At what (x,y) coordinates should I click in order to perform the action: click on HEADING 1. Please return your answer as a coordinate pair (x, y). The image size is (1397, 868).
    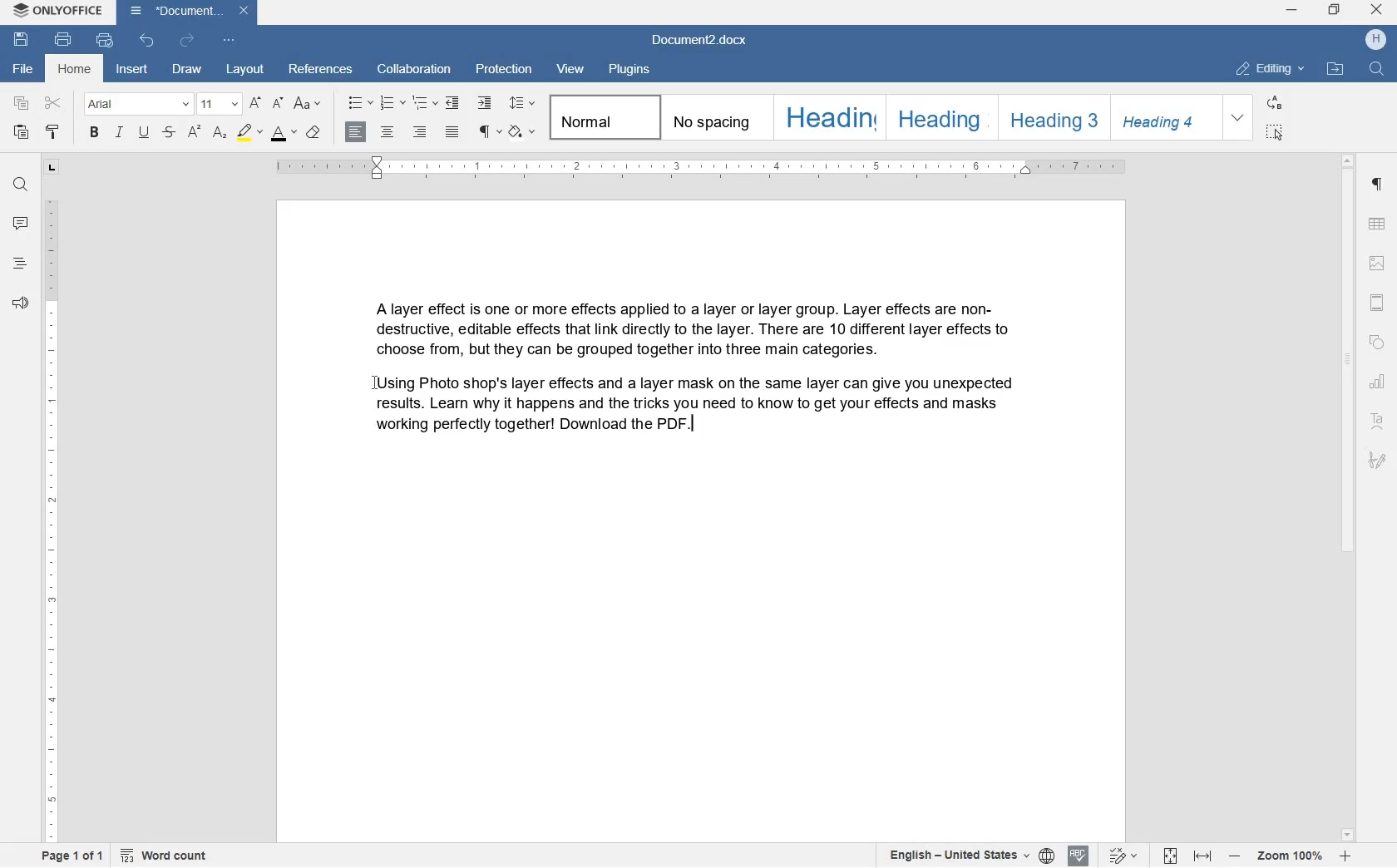
    Looking at the image, I should click on (827, 118).